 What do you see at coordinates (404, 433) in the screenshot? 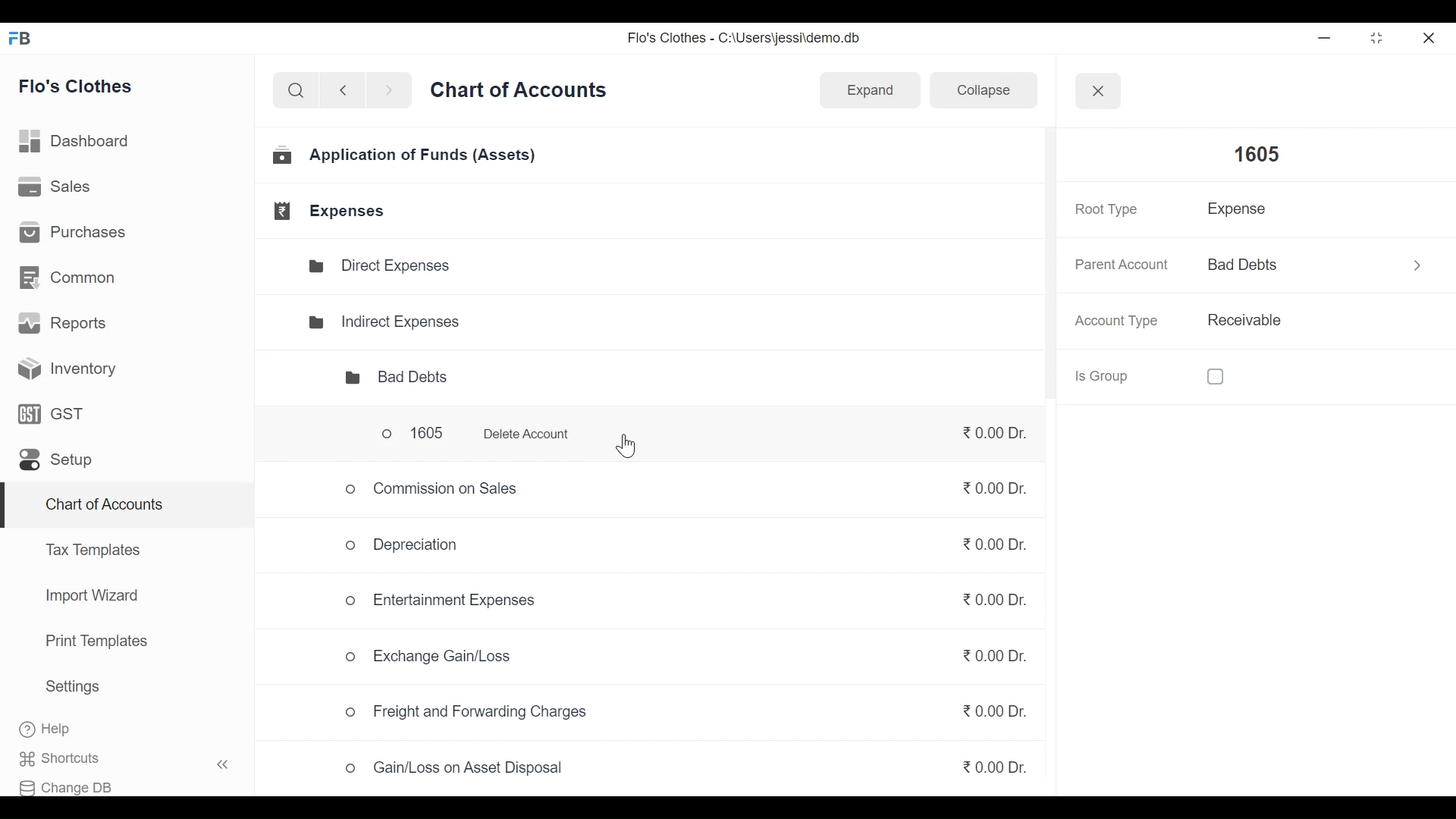
I see `1605` at bounding box center [404, 433].